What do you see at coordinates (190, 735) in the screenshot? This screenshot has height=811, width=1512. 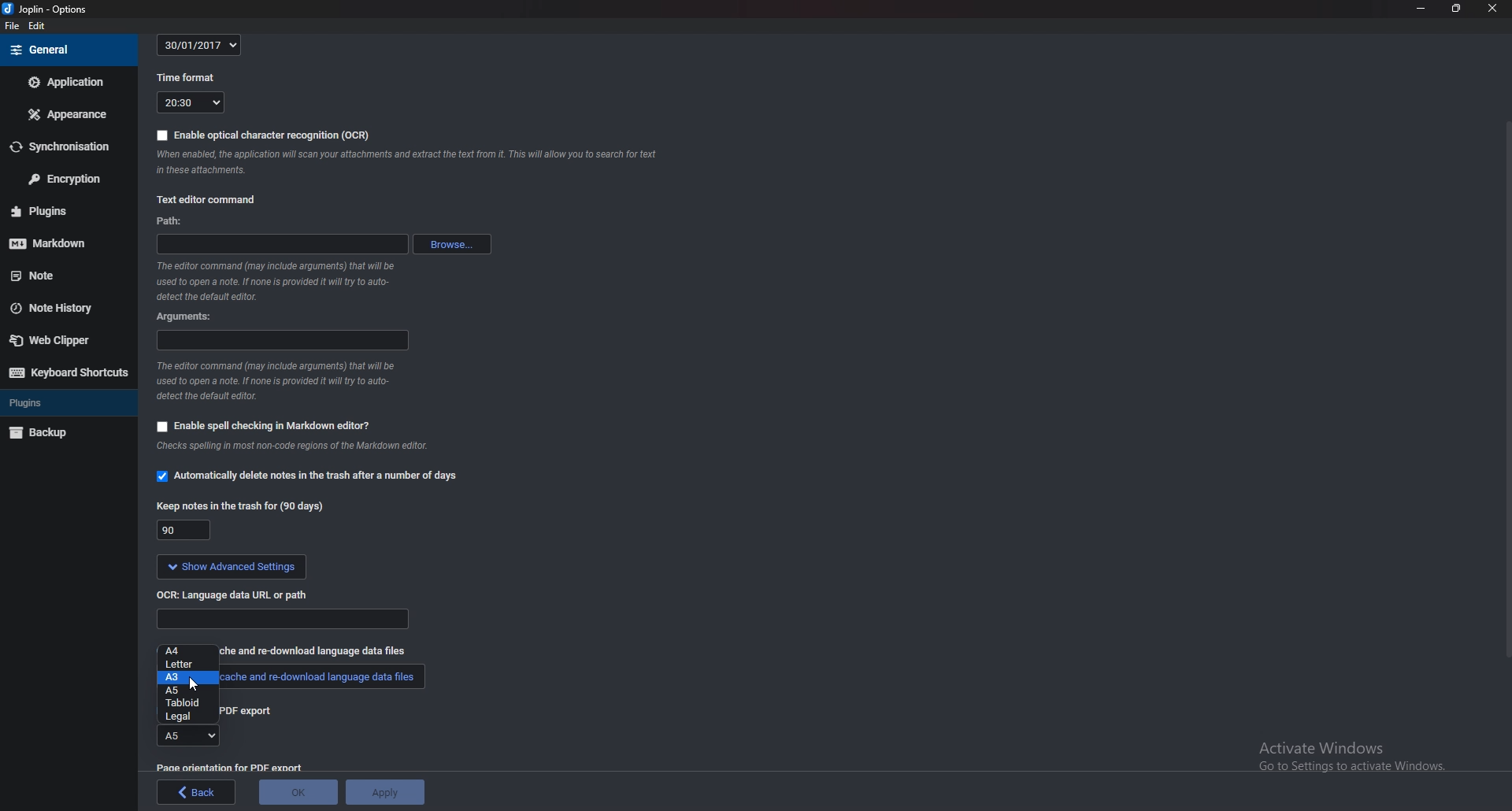 I see `A5` at bounding box center [190, 735].